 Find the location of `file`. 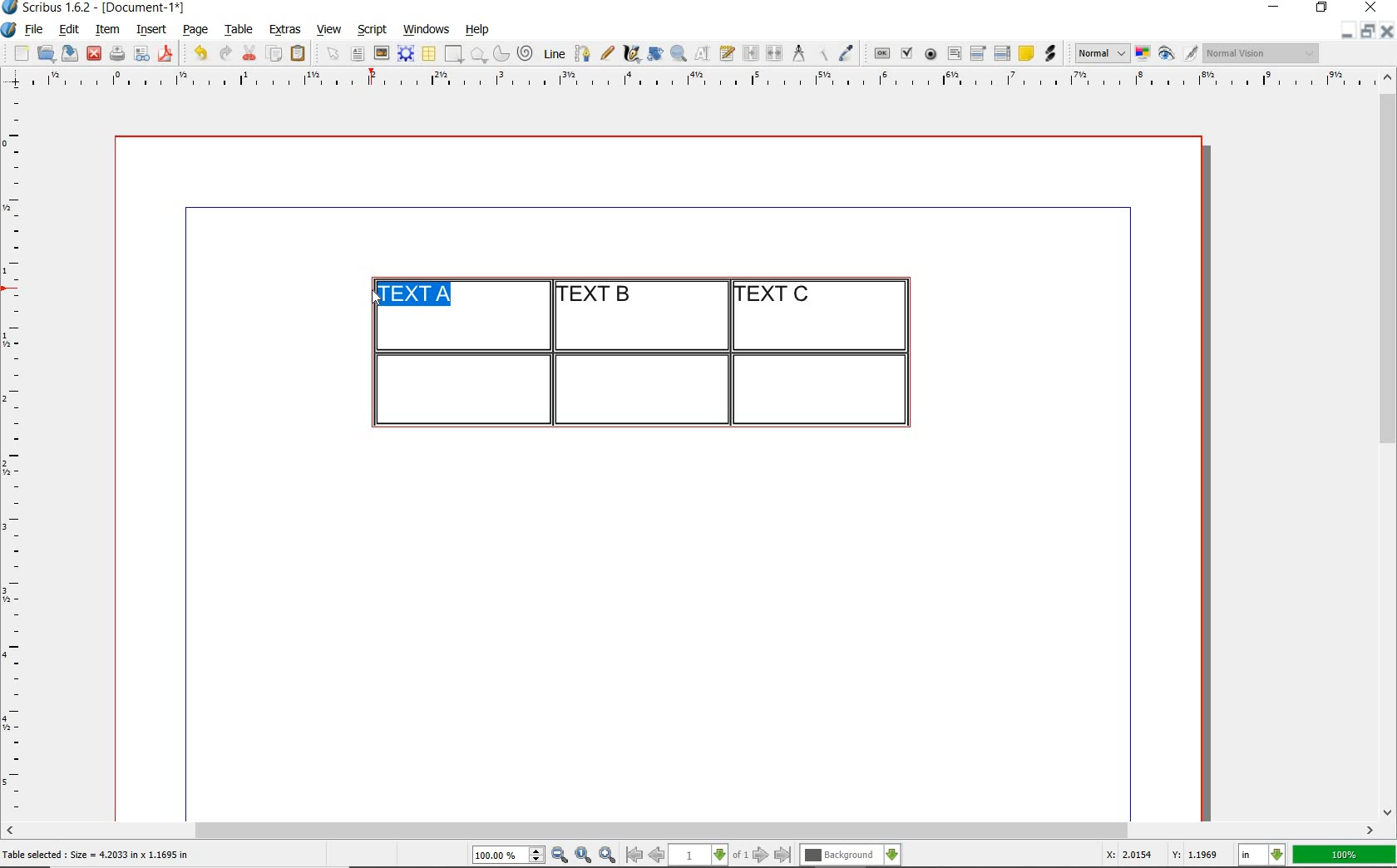

file is located at coordinates (36, 30).